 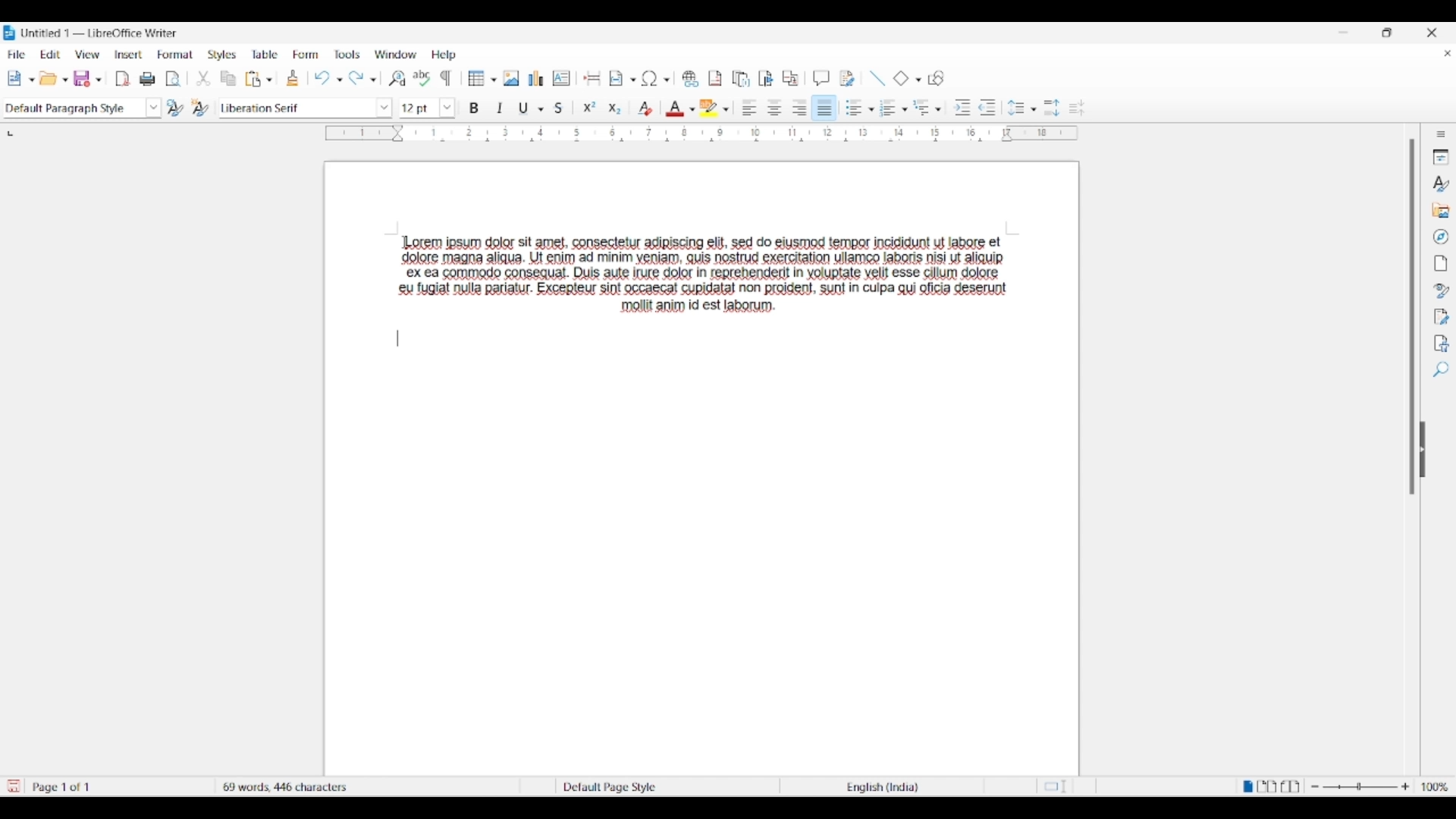 I want to click on Align right, so click(x=800, y=107).